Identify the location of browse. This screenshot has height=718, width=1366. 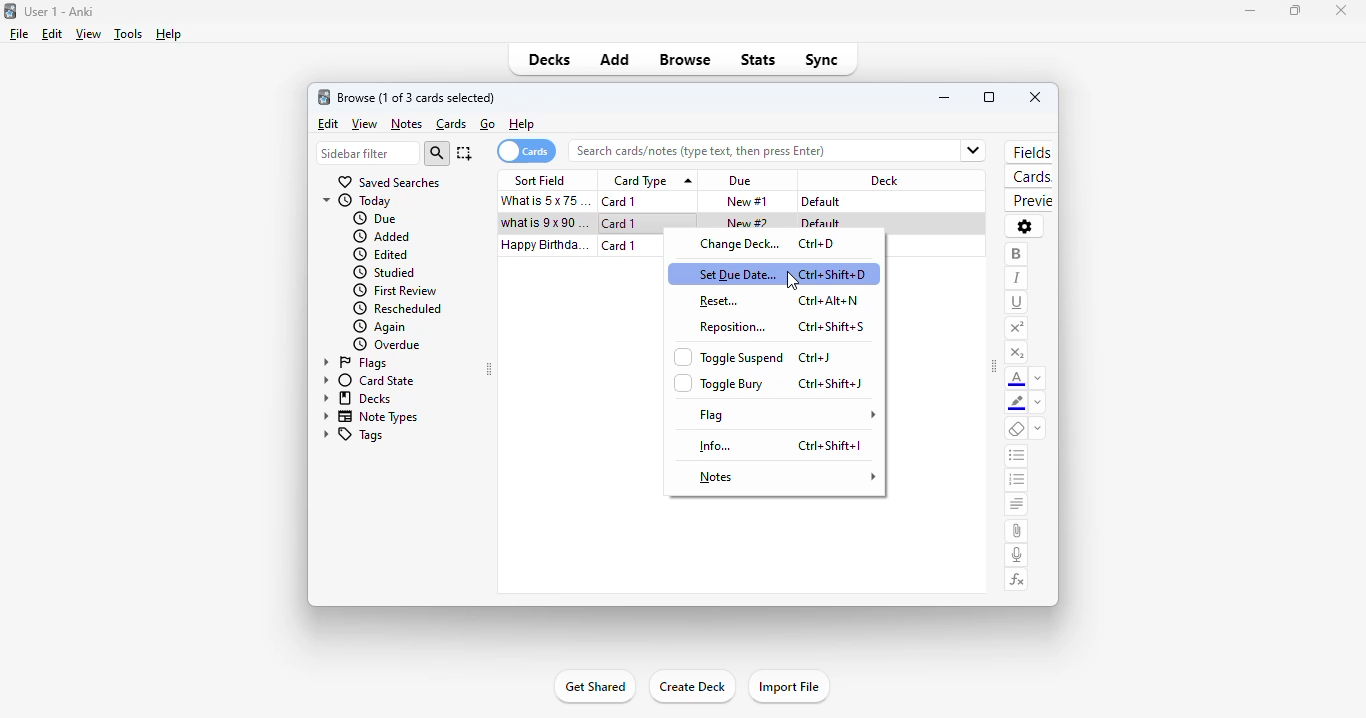
(684, 59).